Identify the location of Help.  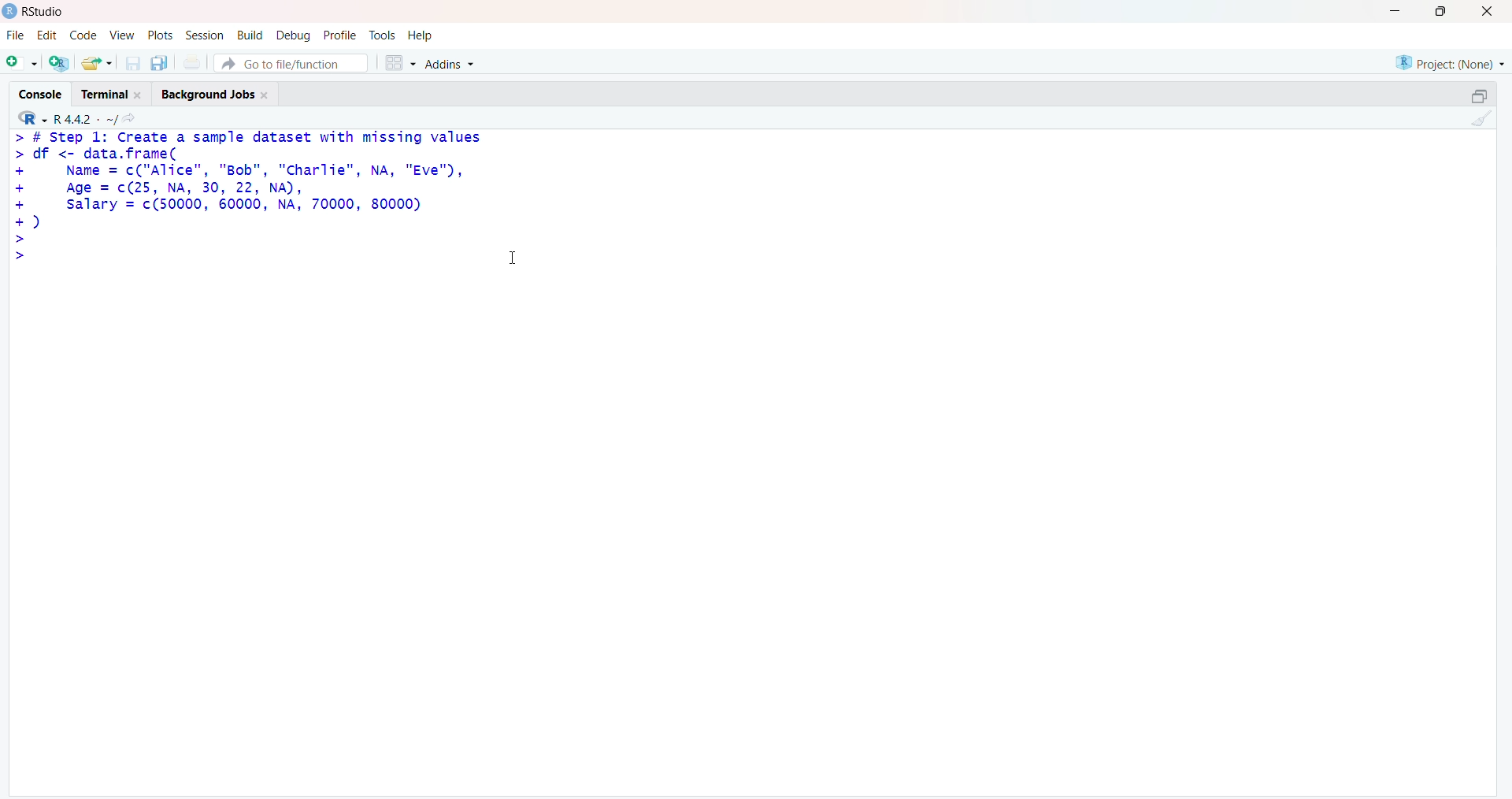
(422, 35).